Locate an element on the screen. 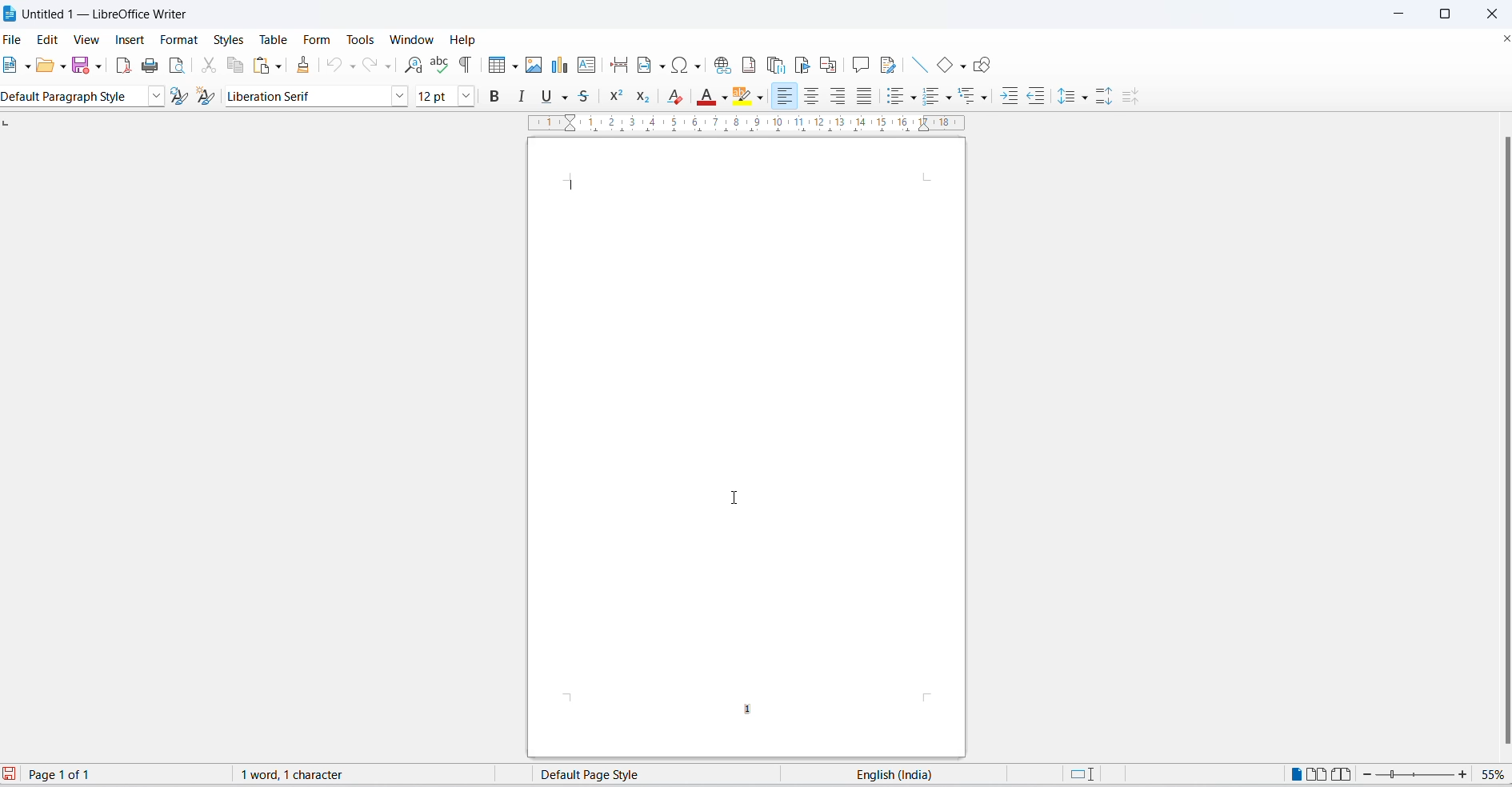 The width and height of the screenshot is (1512, 787). new file is located at coordinates (10, 65).